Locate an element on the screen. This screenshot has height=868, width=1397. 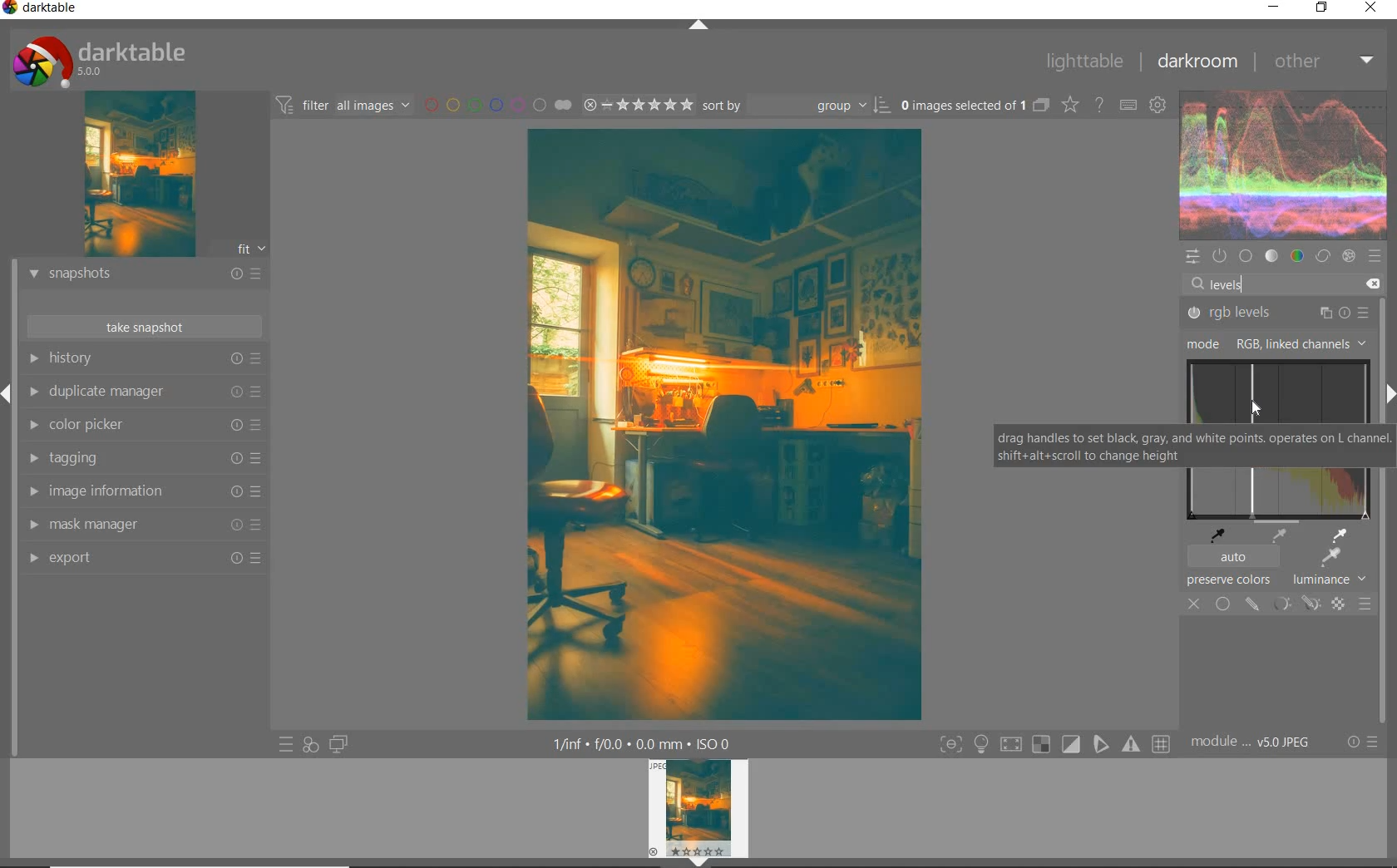
tagging is located at coordinates (140, 456).